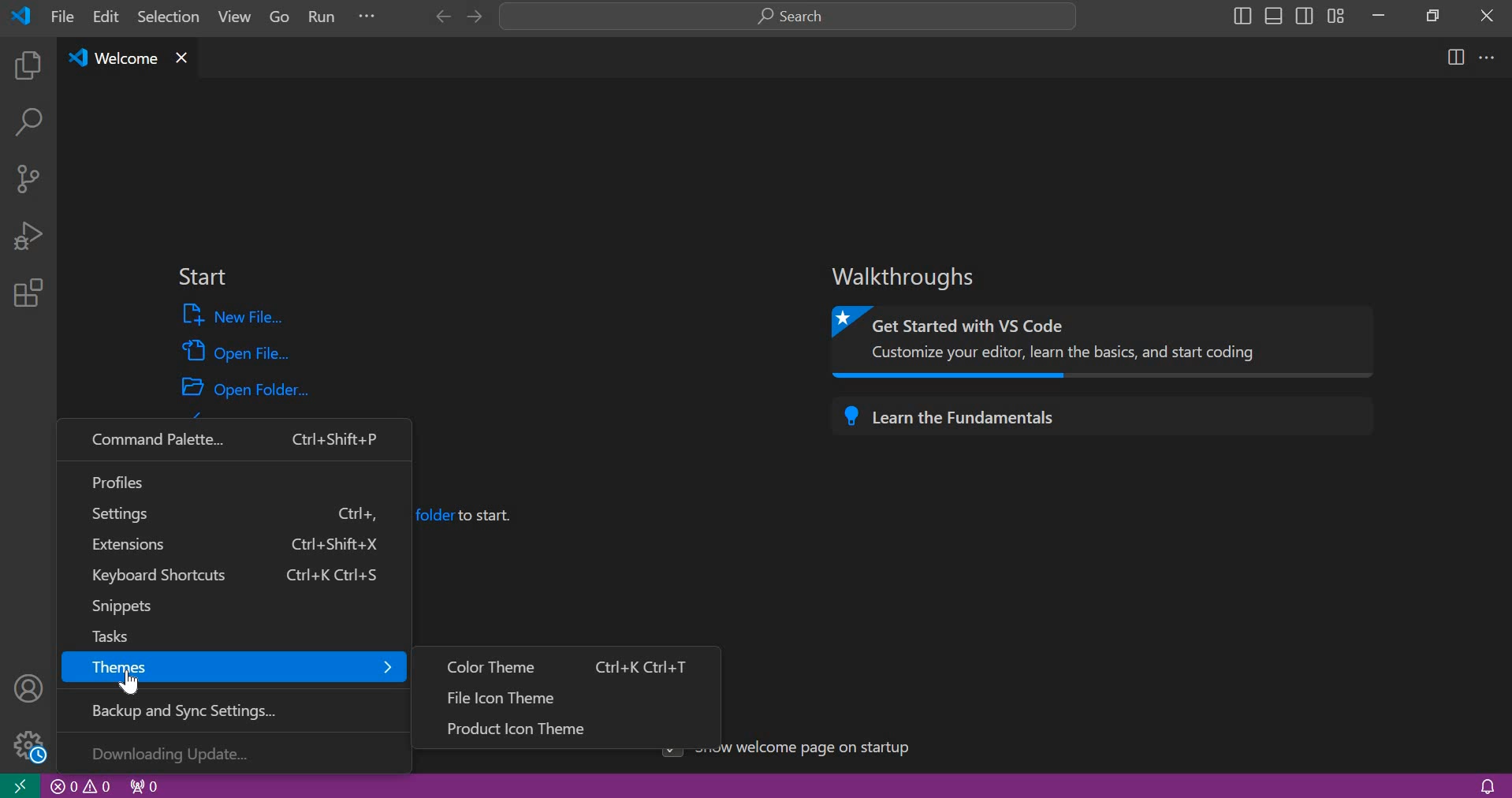  I want to click on tasks, so click(222, 633).